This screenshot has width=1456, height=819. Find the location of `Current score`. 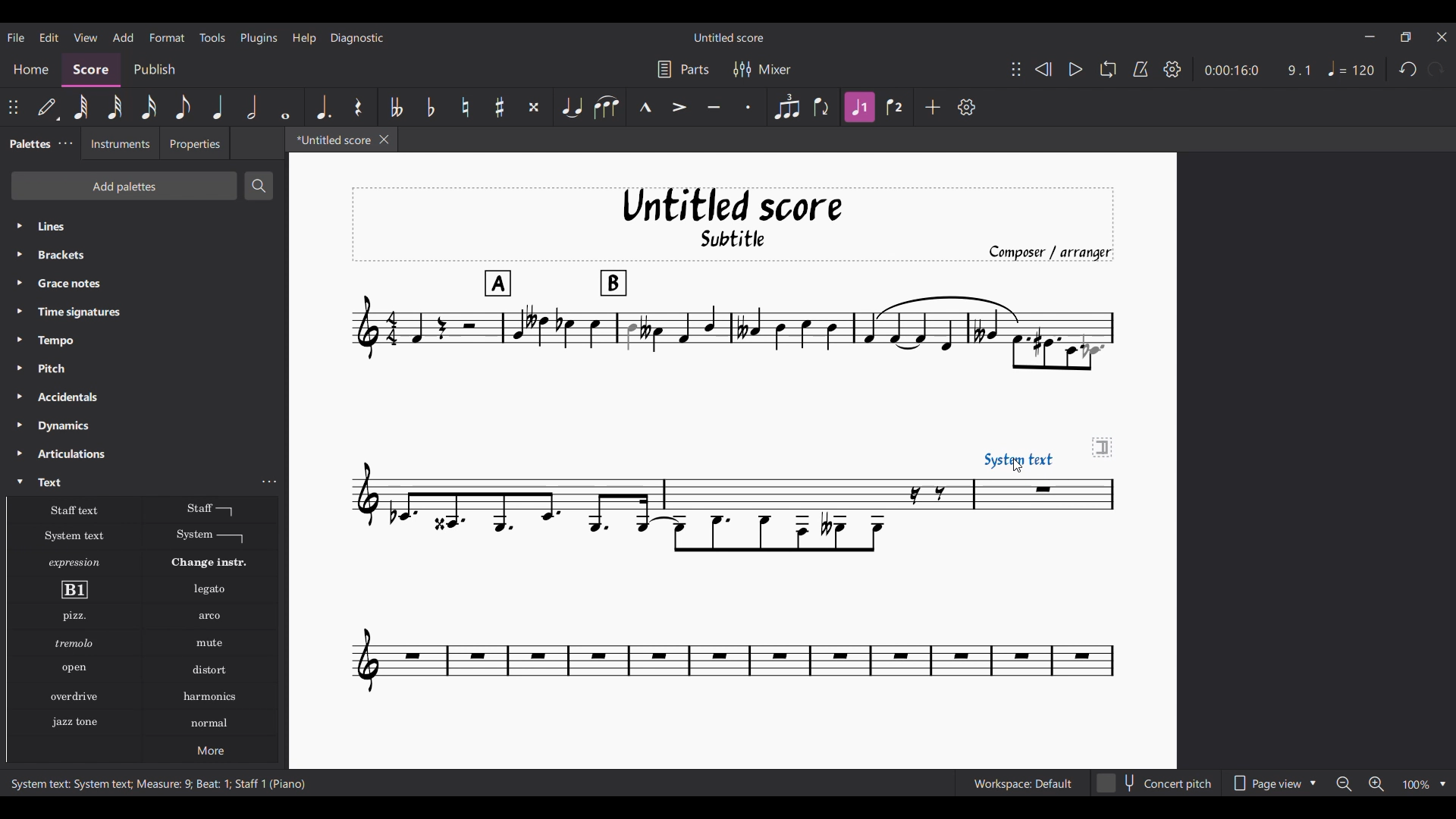

Current score is located at coordinates (1037, 314).